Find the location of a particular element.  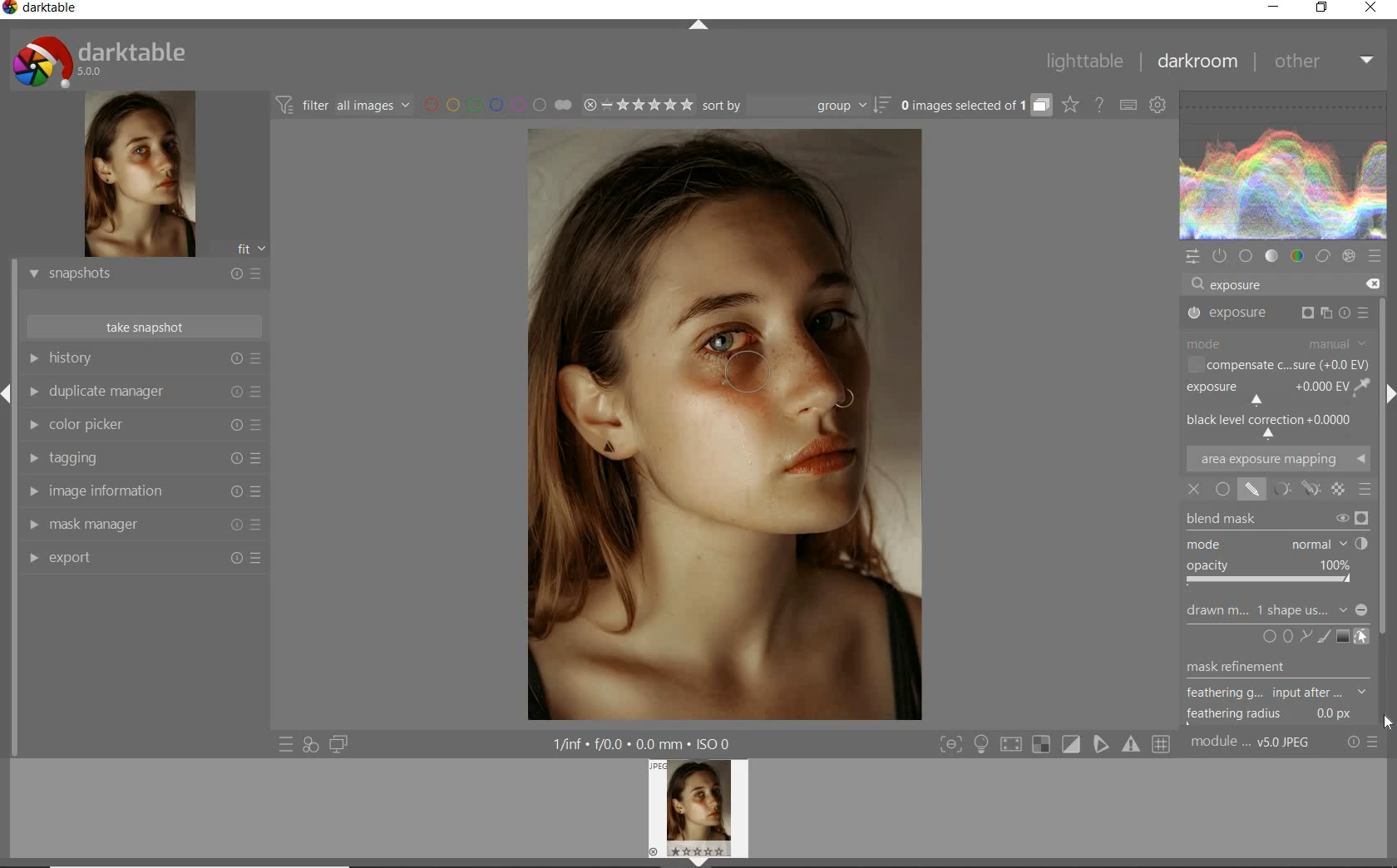

SHOW AND EDIT MASK ELEMENT is located at coordinates (1363, 638).